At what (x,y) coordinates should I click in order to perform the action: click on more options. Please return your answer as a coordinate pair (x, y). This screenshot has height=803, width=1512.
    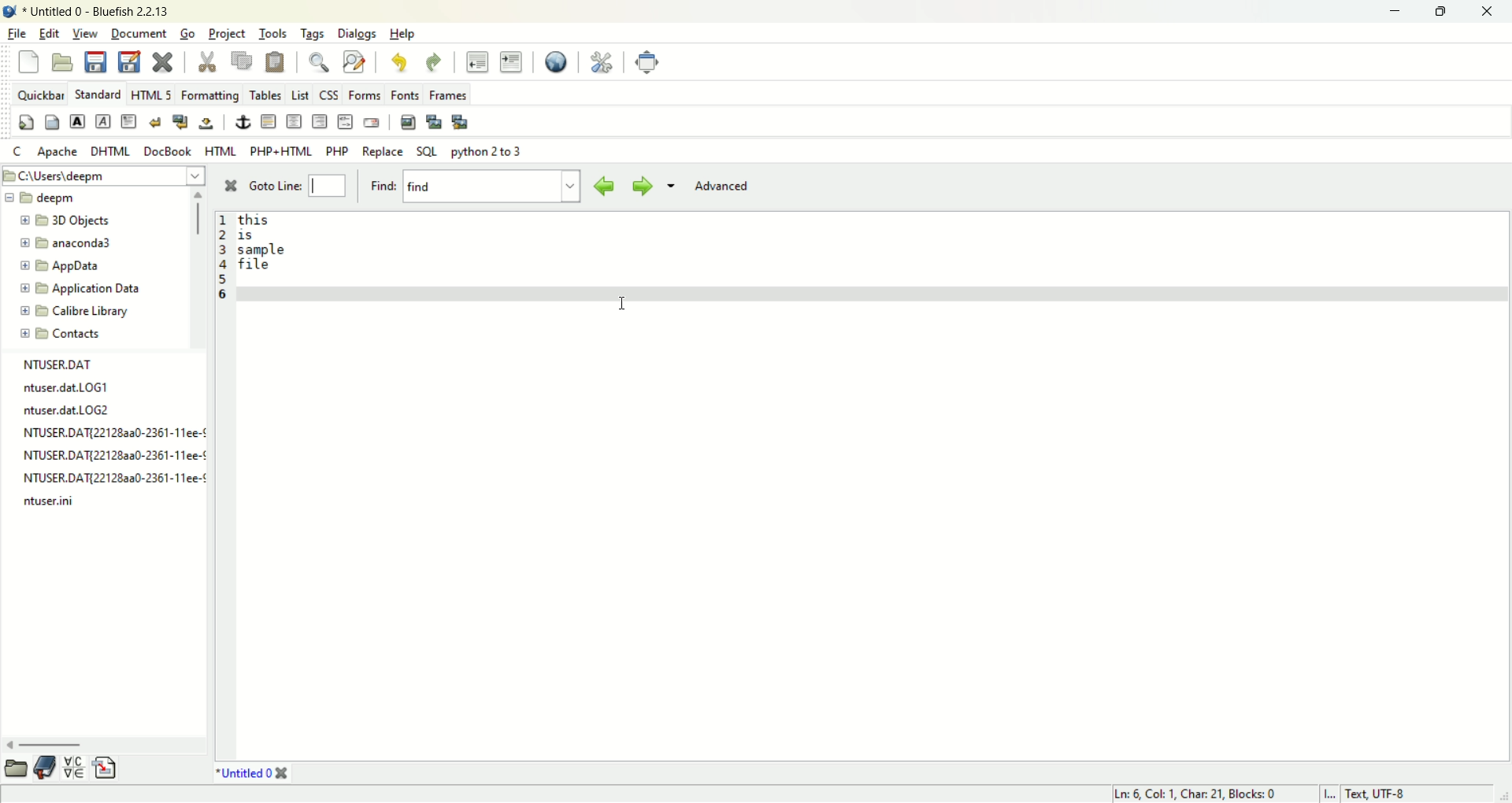
    Looking at the image, I should click on (672, 187).